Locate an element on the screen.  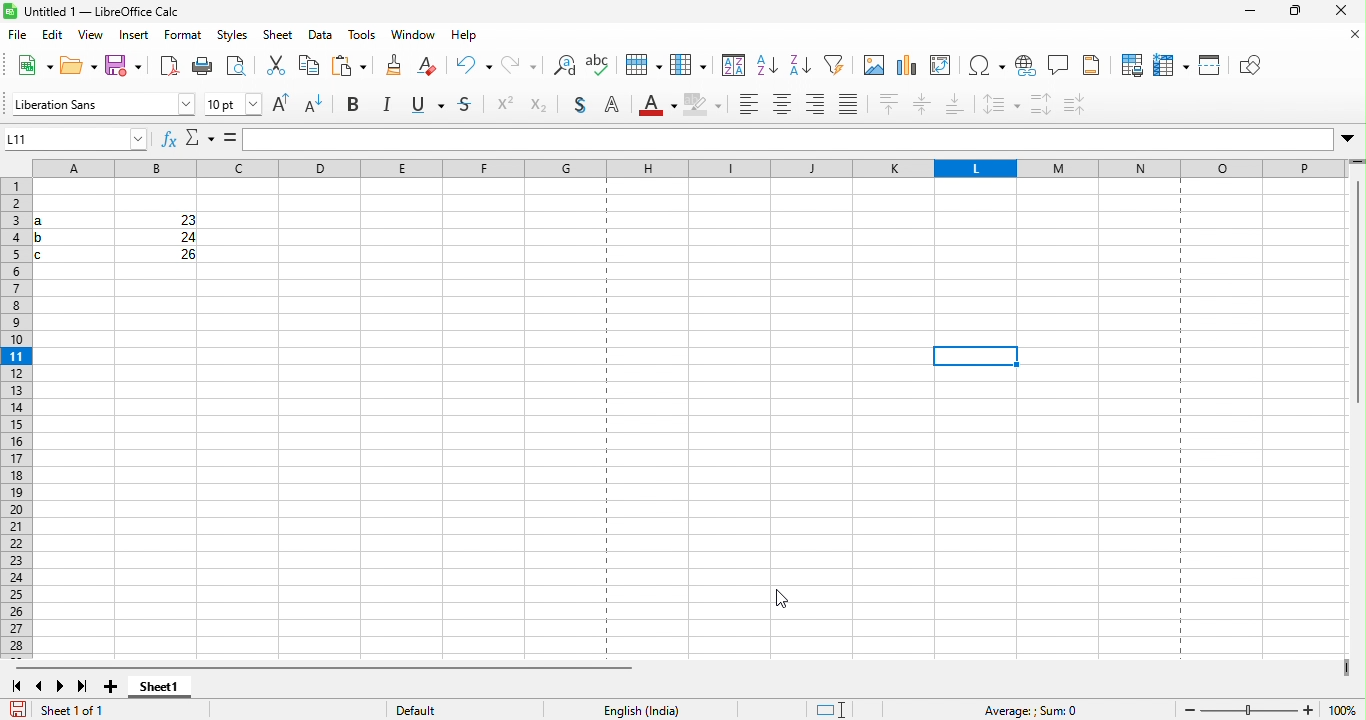
sheet 1 is located at coordinates (167, 690).